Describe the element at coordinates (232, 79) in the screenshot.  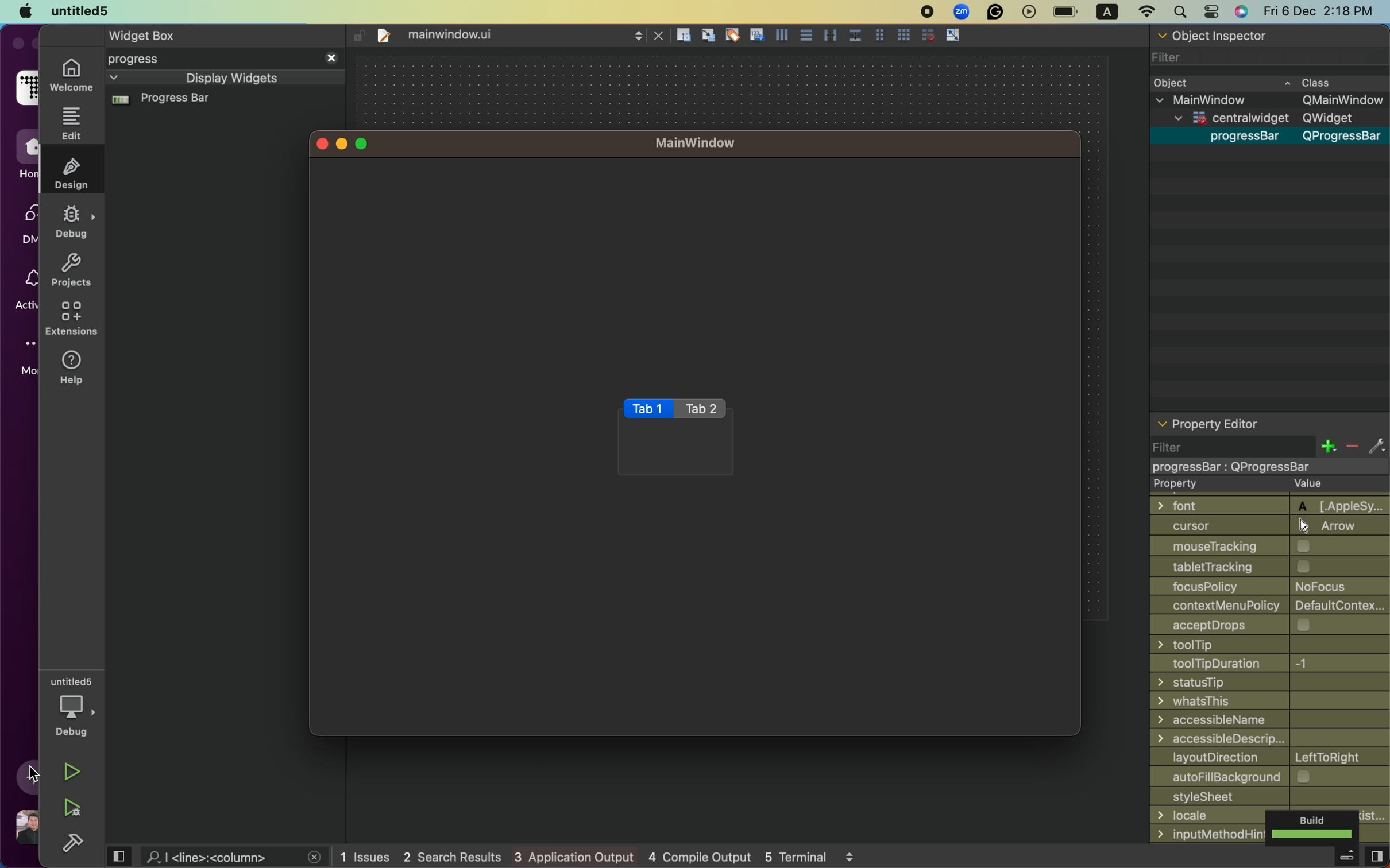
I see `display widgets` at that location.